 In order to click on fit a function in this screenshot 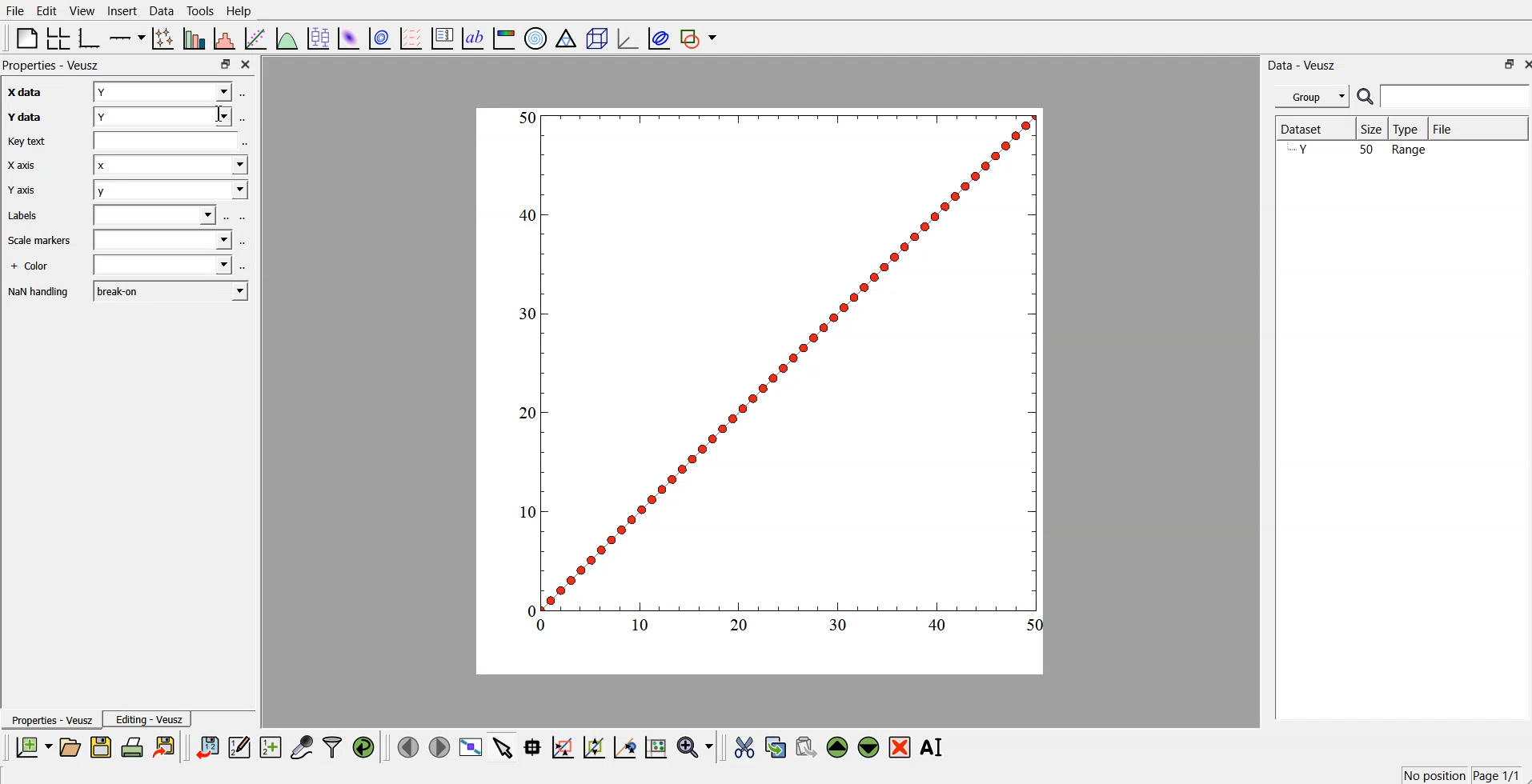, I will do `click(258, 37)`.